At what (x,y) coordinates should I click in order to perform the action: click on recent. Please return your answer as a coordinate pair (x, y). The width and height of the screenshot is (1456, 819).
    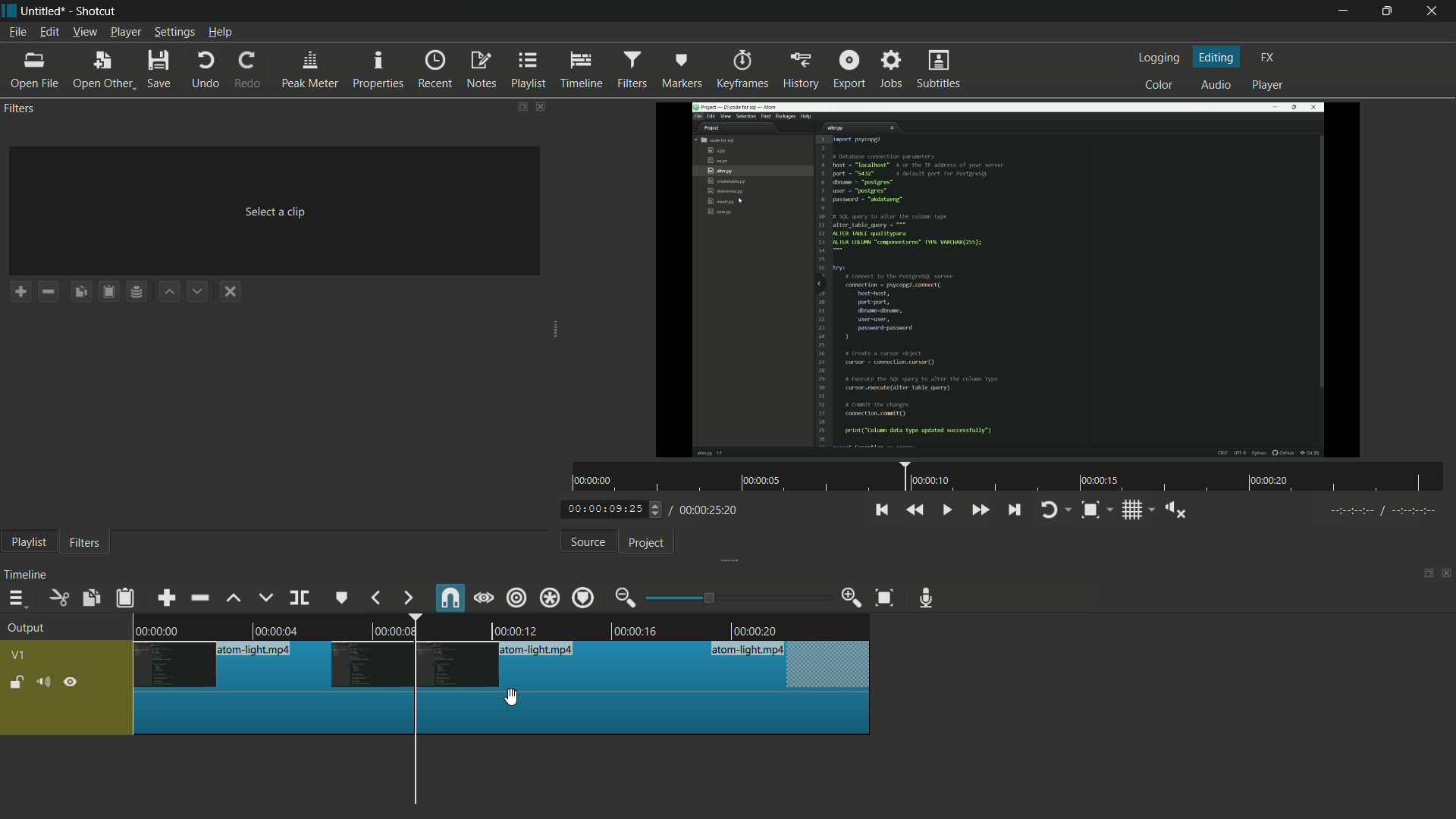
    Looking at the image, I should click on (438, 70).